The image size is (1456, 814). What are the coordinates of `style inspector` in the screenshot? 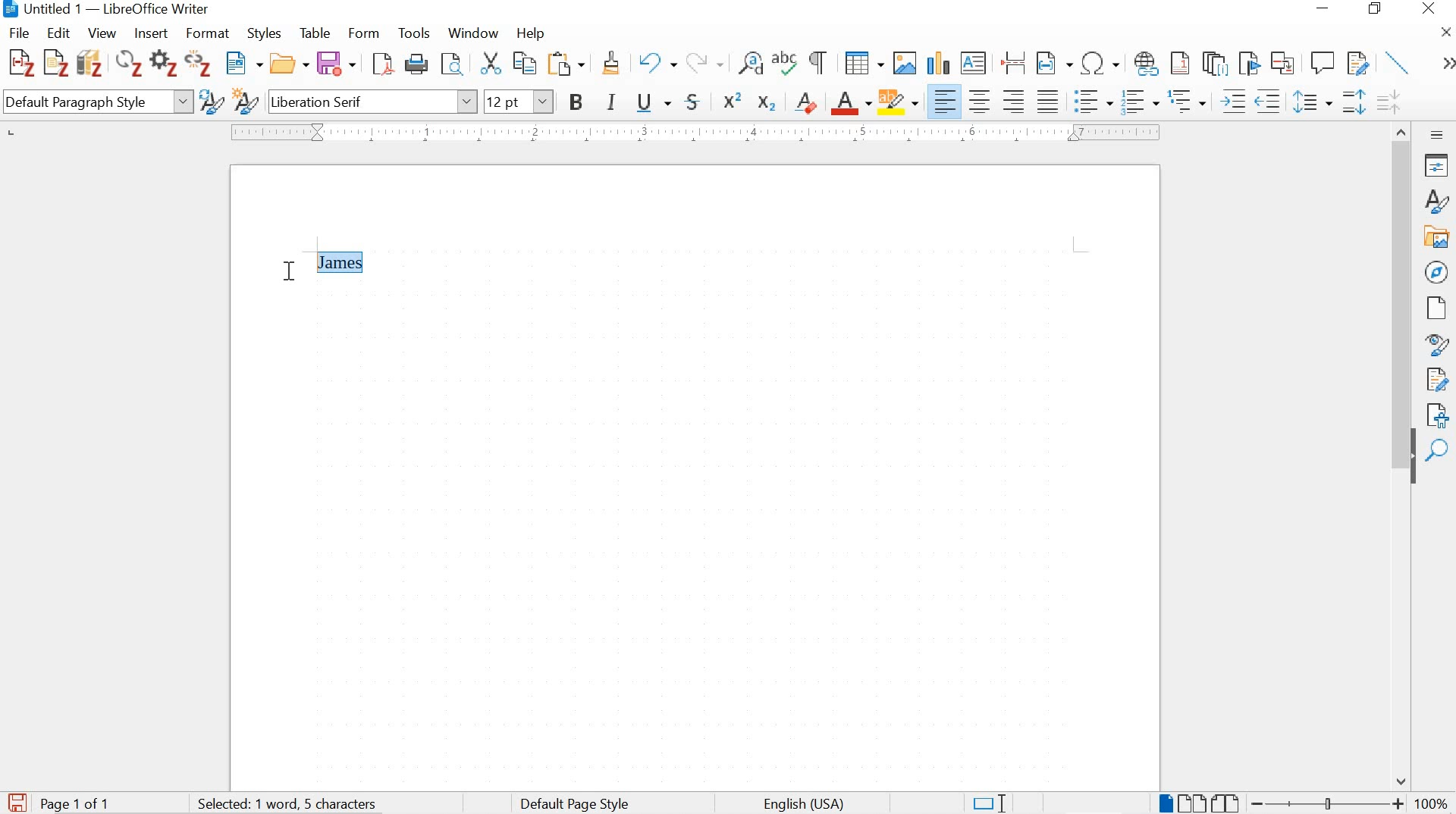 It's located at (1438, 346).